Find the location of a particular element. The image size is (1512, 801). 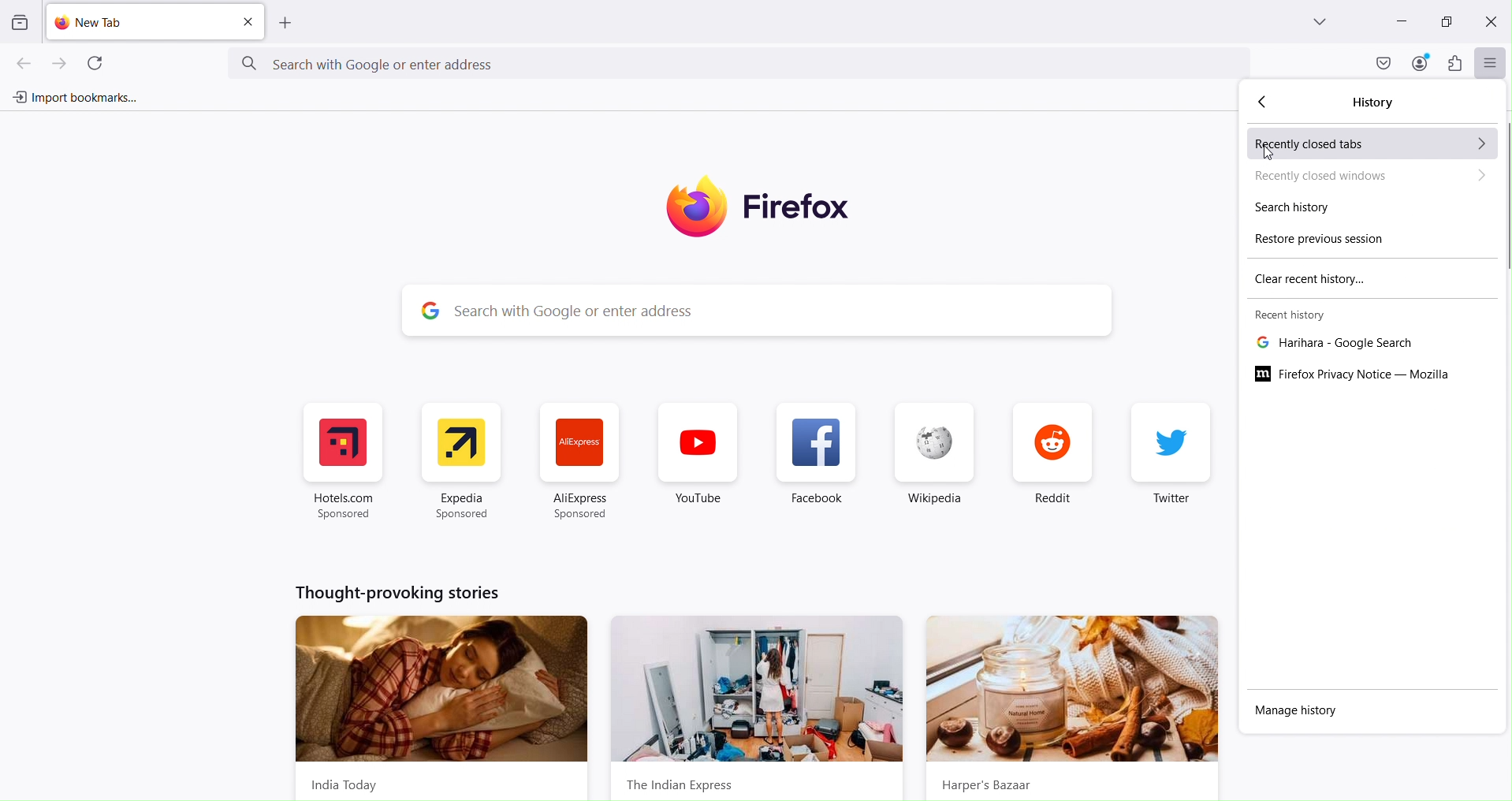

History is located at coordinates (1394, 102).